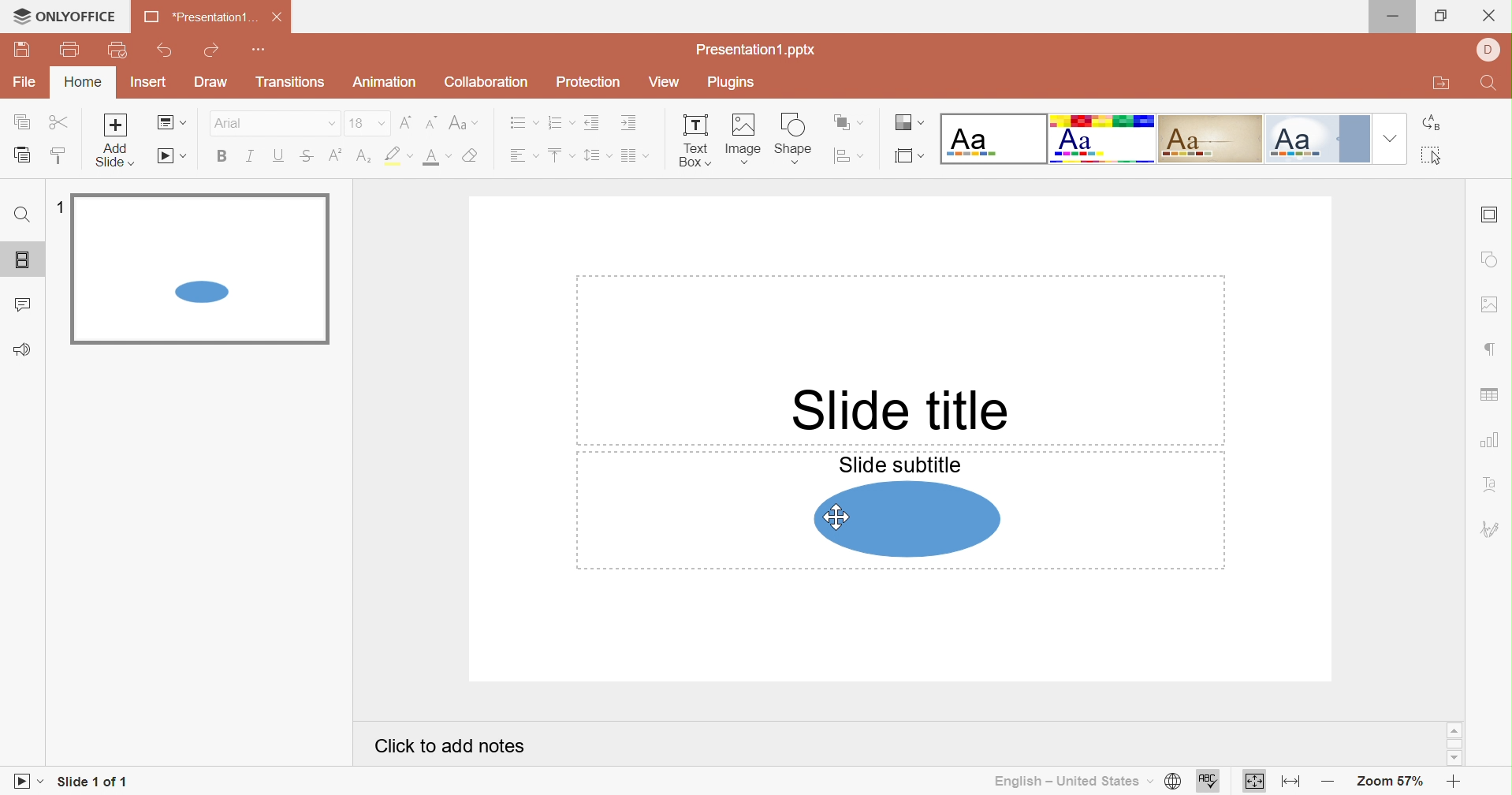  What do you see at coordinates (1391, 139) in the screenshot?
I see `Drop down` at bounding box center [1391, 139].